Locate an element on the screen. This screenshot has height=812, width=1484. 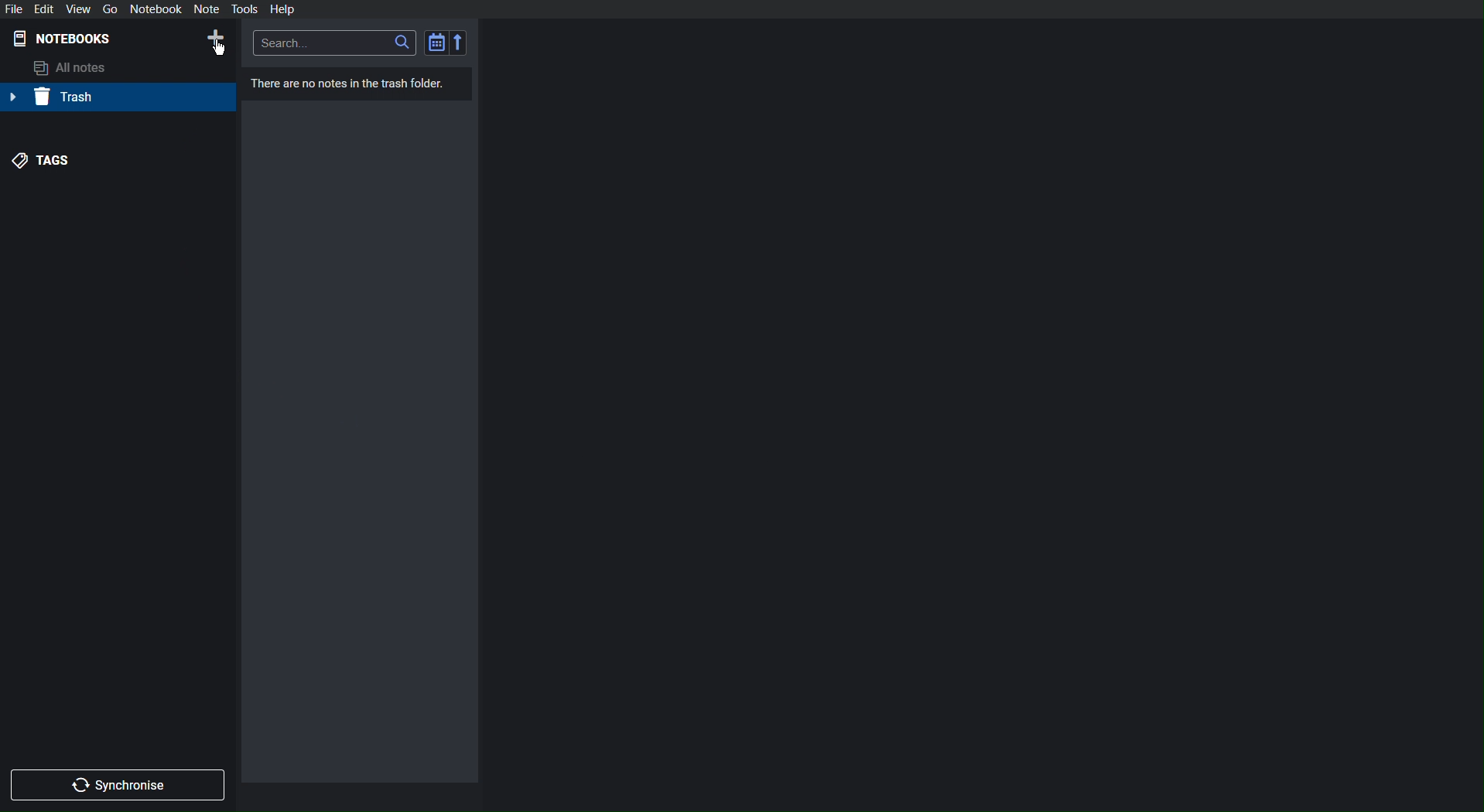
Edit is located at coordinates (46, 9).